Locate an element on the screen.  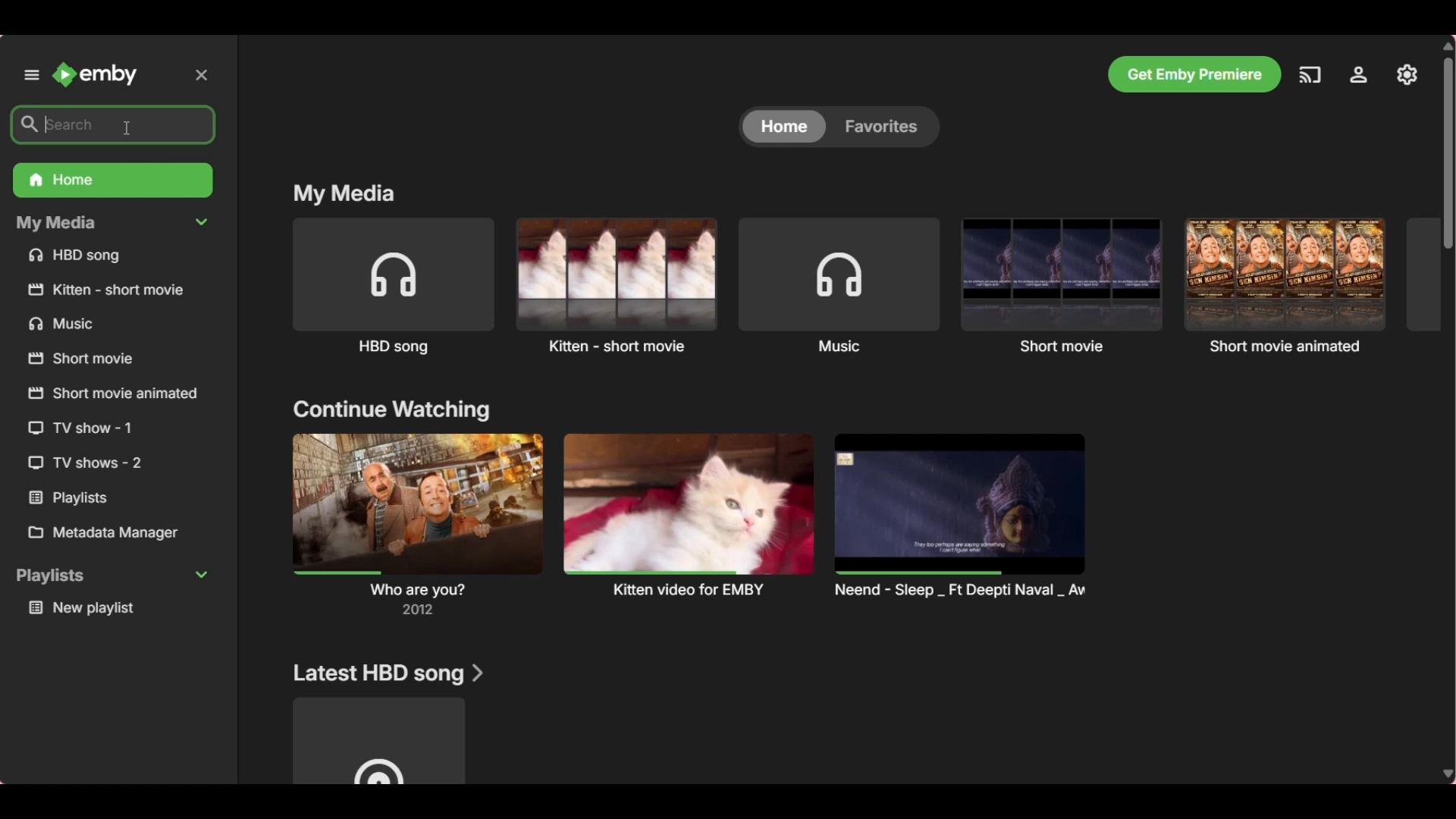
 is located at coordinates (112, 288).